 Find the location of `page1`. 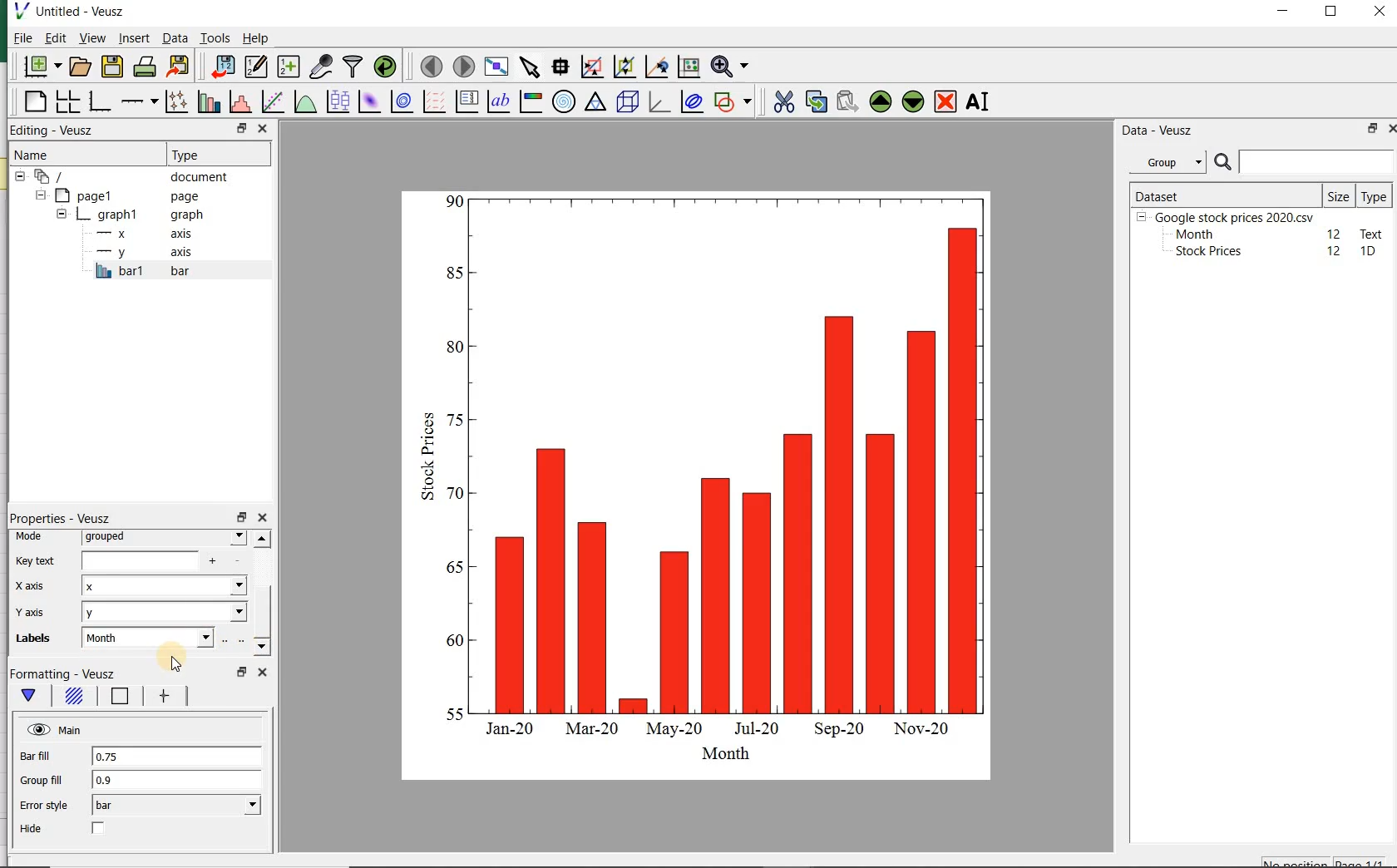

page1 is located at coordinates (121, 196).